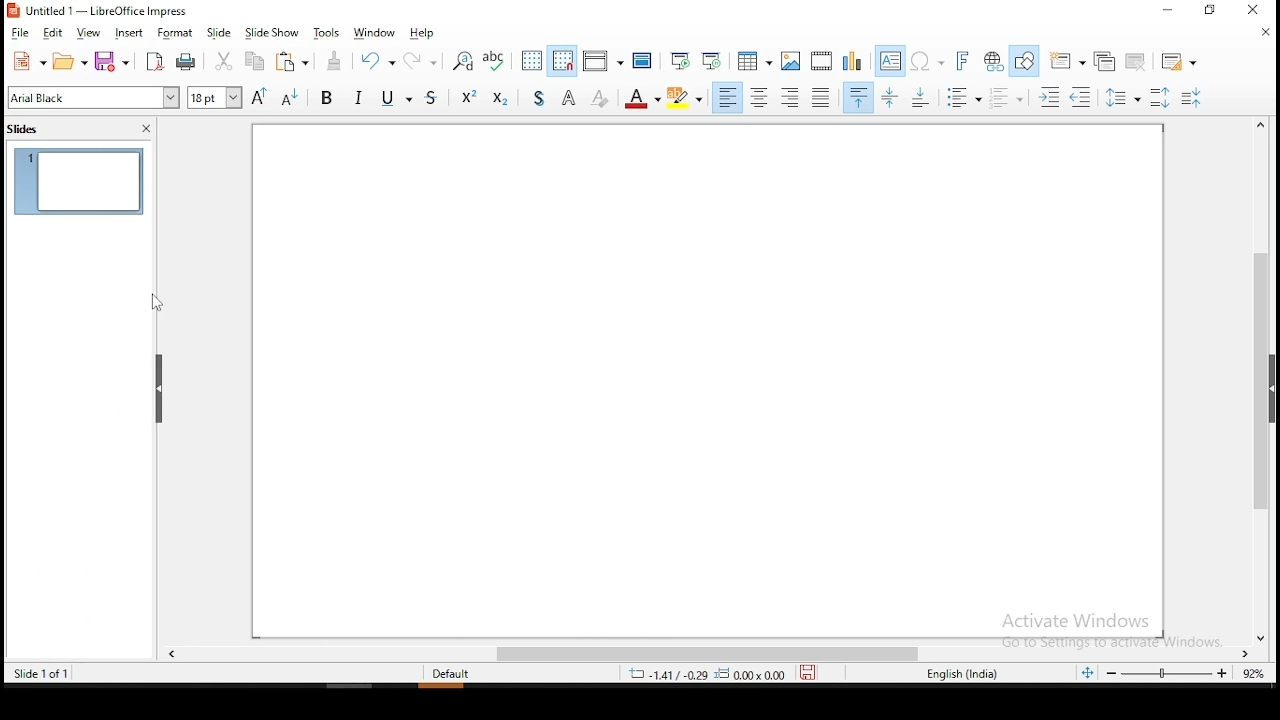  Describe the element at coordinates (994, 61) in the screenshot. I see `insert hyperlink` at that location.